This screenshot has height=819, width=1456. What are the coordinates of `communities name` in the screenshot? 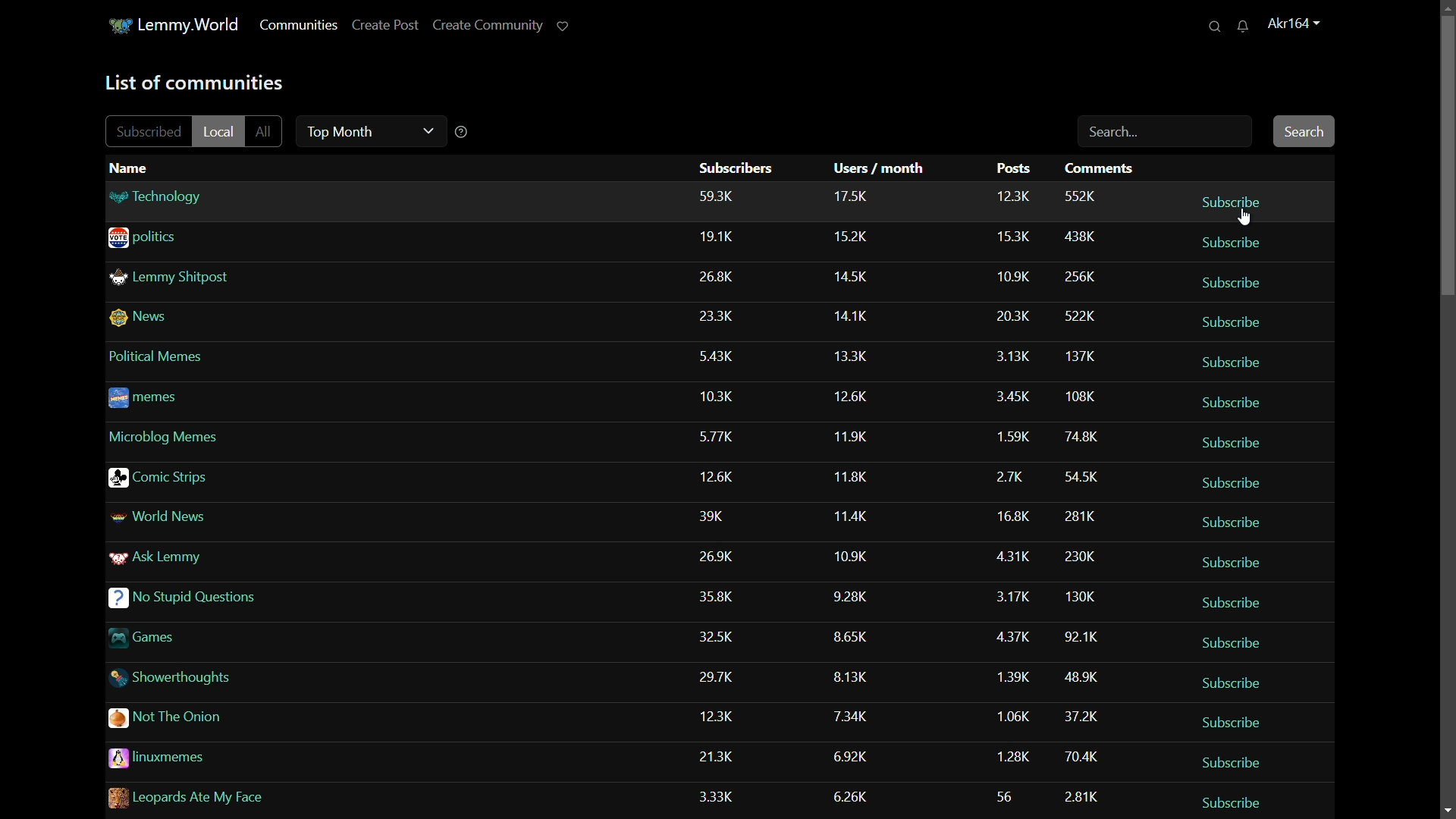 It's located at (300, 759).